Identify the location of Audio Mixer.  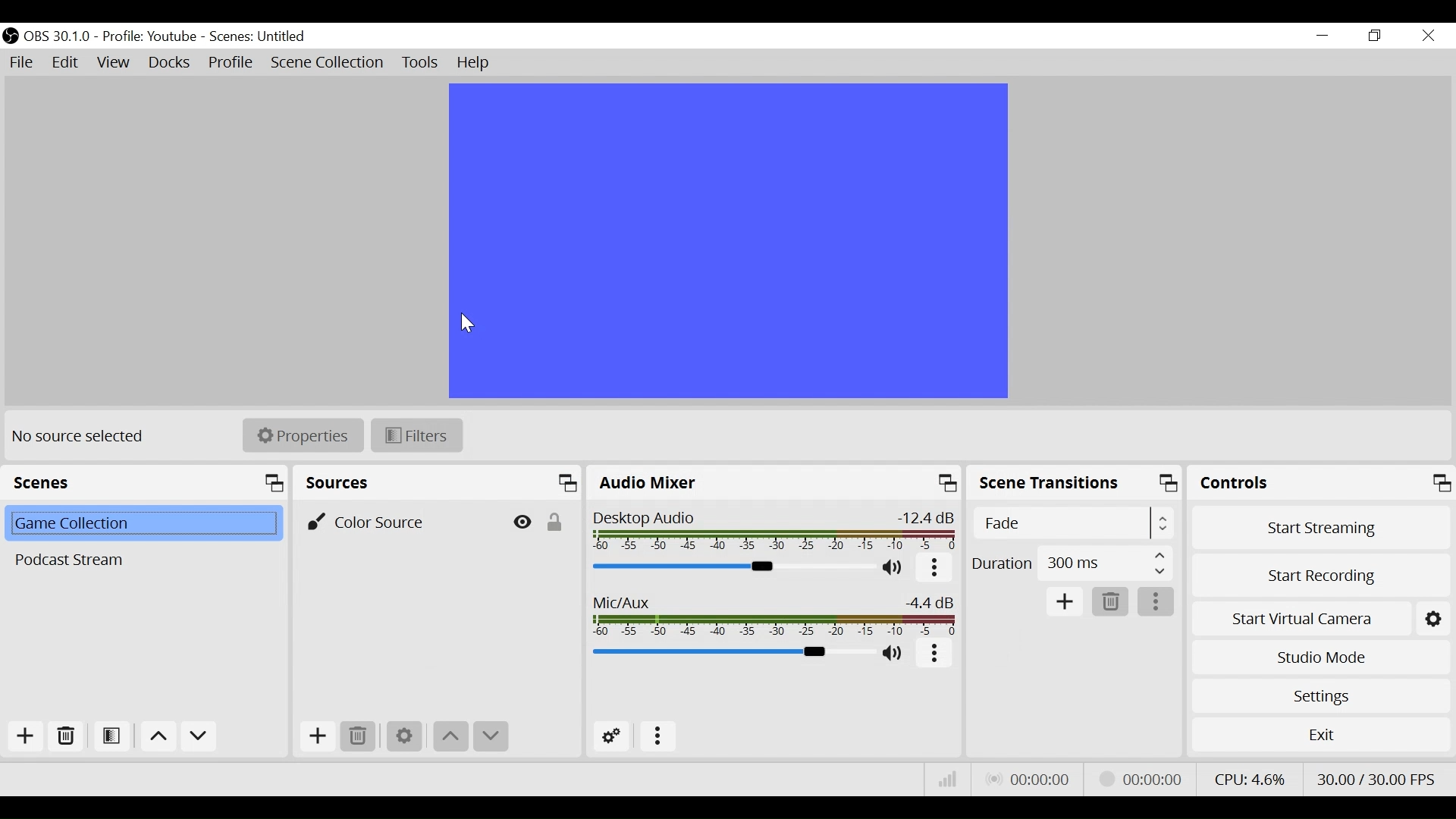
(776, 482).